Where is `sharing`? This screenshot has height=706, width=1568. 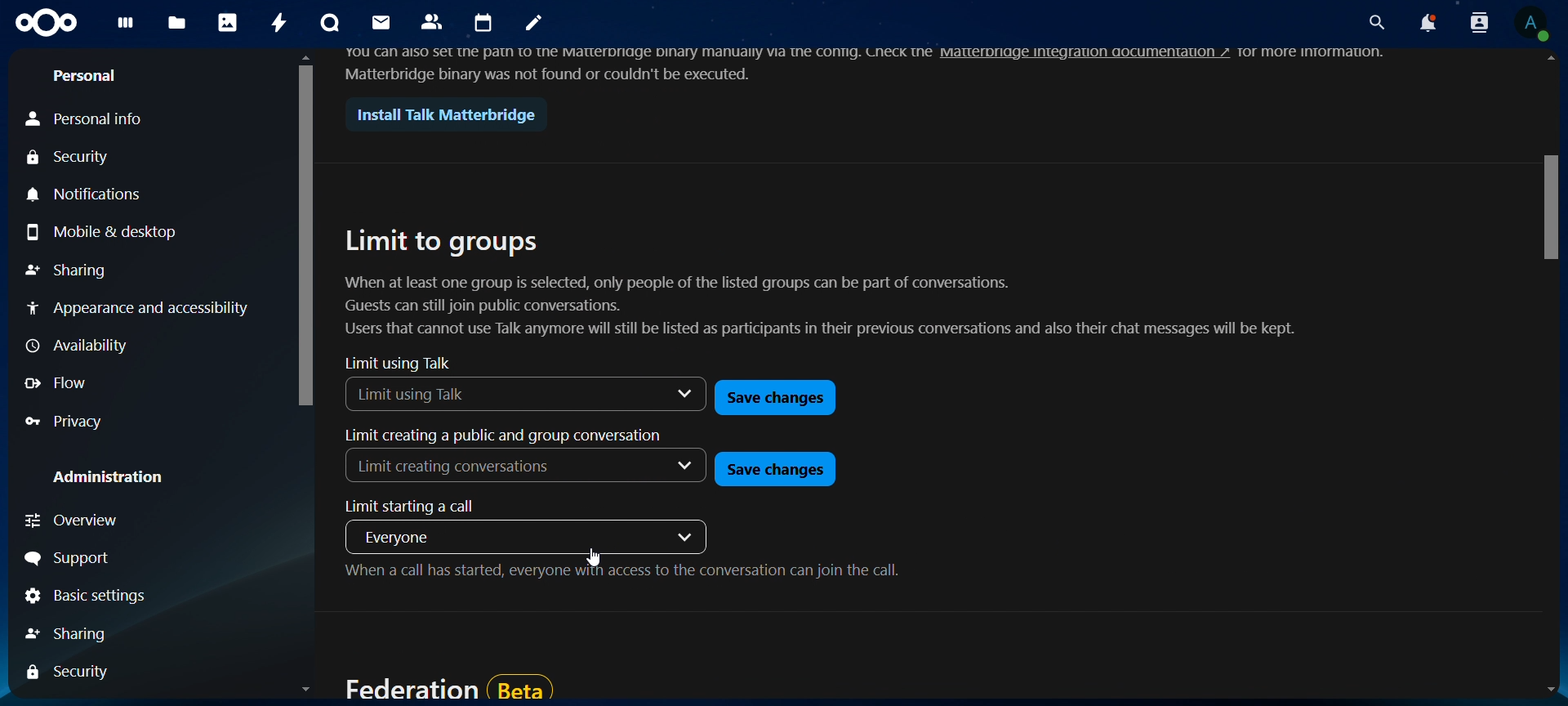 sharing is located at coordinates (73, 634).